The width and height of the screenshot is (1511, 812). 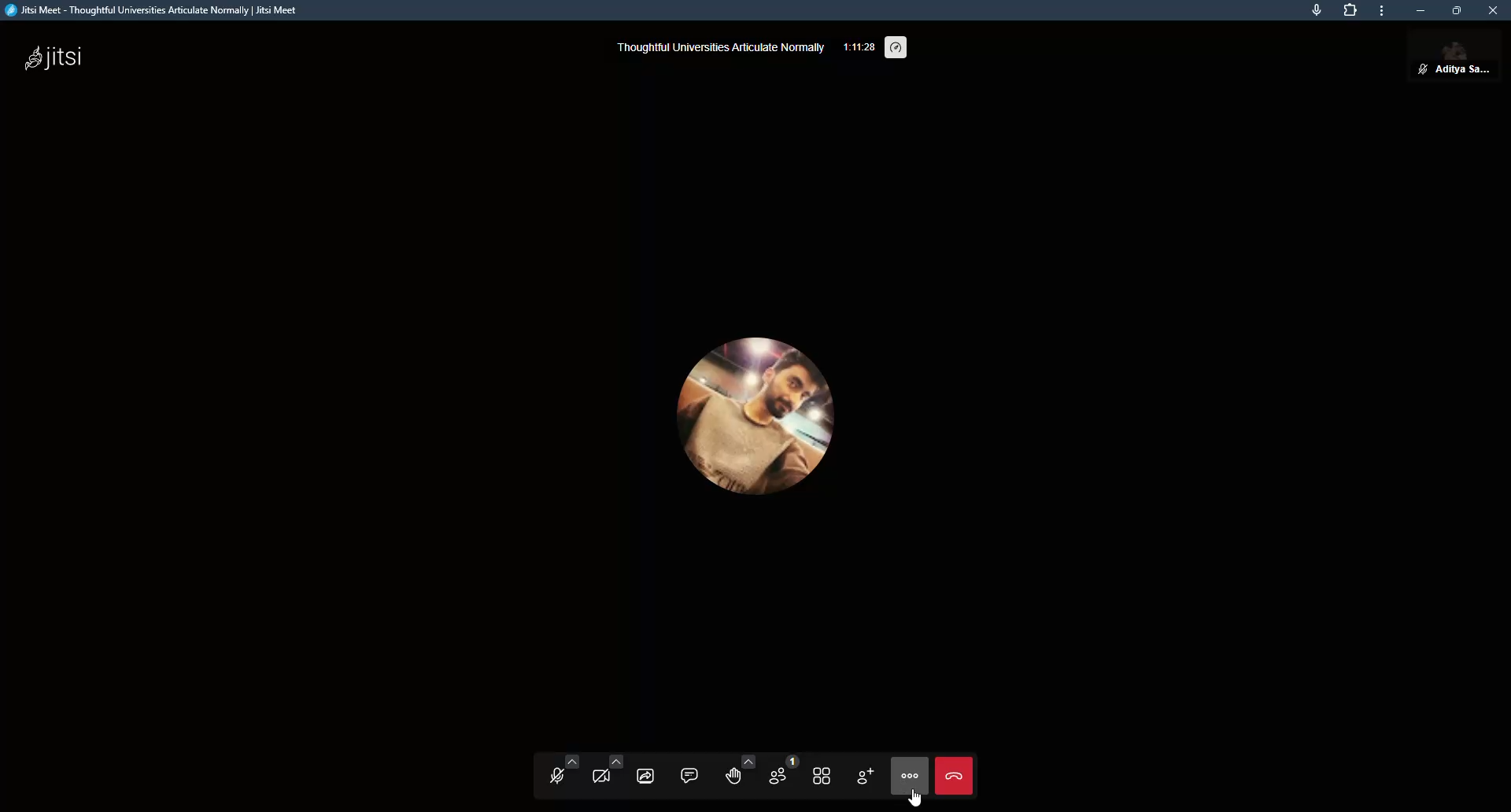 What do you see at coordinates (822, 777) in the screenshot?
I see `toggle tile view` at bounding box center [822, 777].